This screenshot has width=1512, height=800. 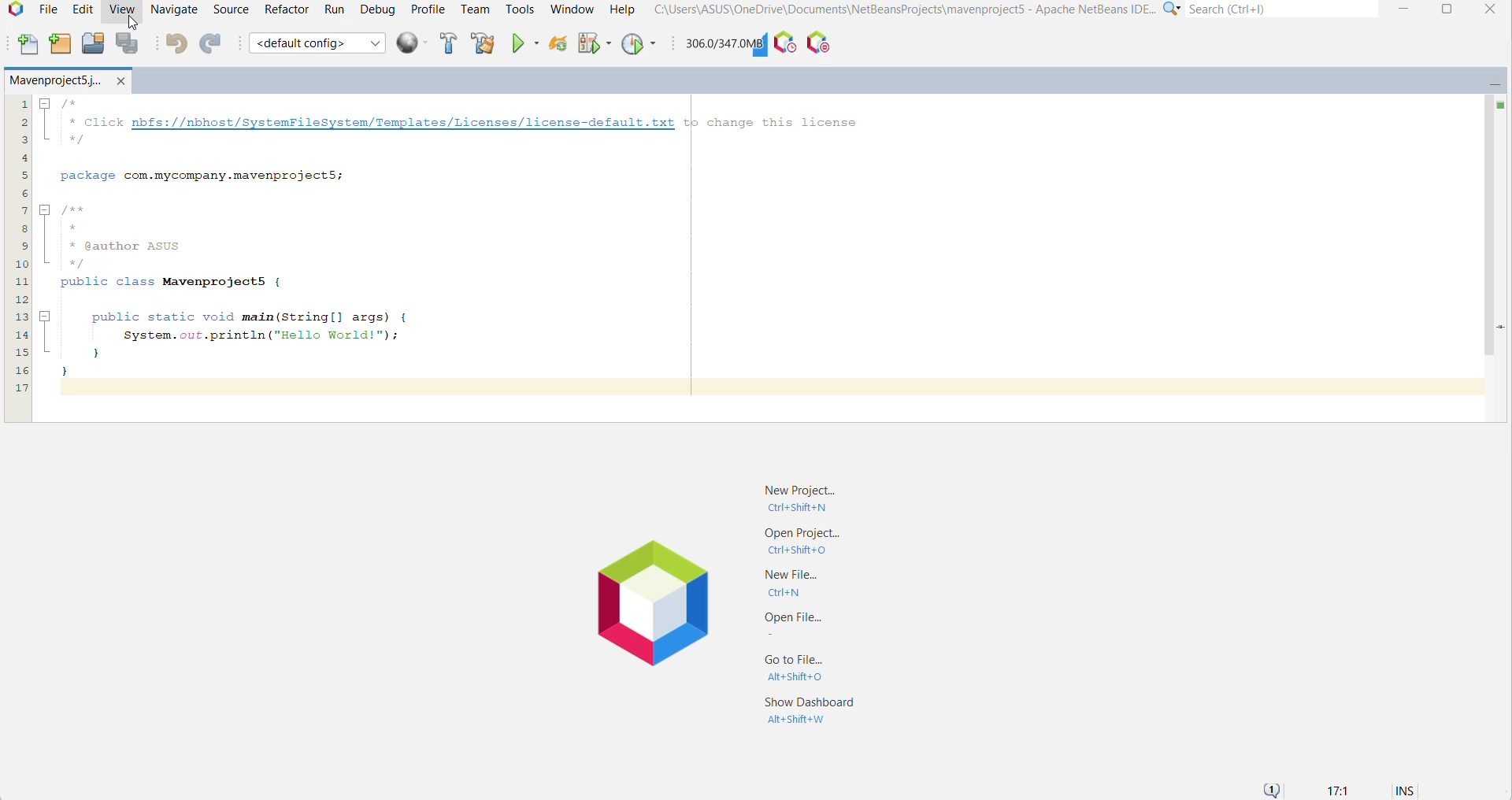 What do you see at coordinates (1407, 789) in the screenshot?
I see `INS` at bounding box center [1407, 789].